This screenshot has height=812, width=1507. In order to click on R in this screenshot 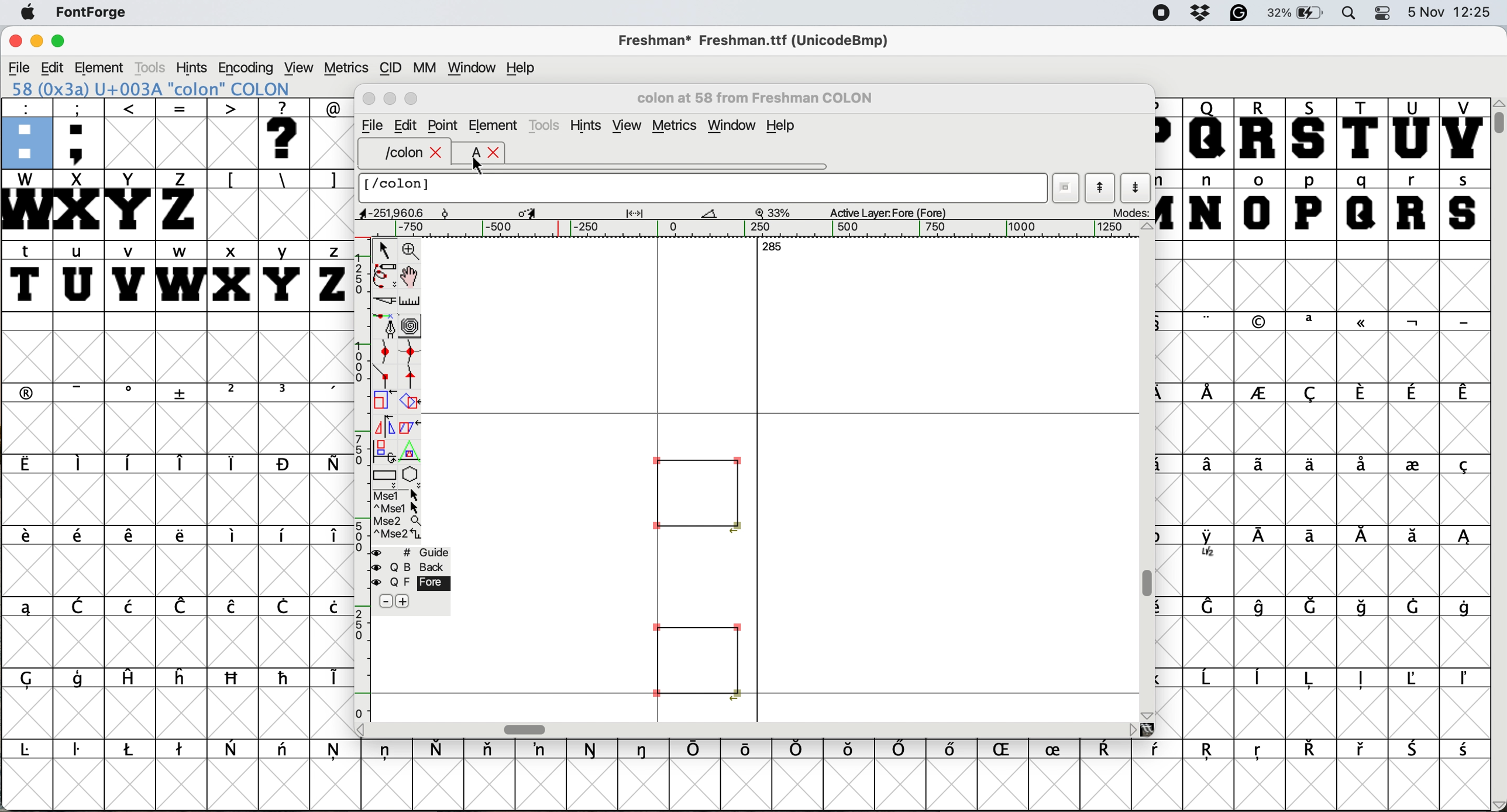, I will do `click(1261, 132)`.